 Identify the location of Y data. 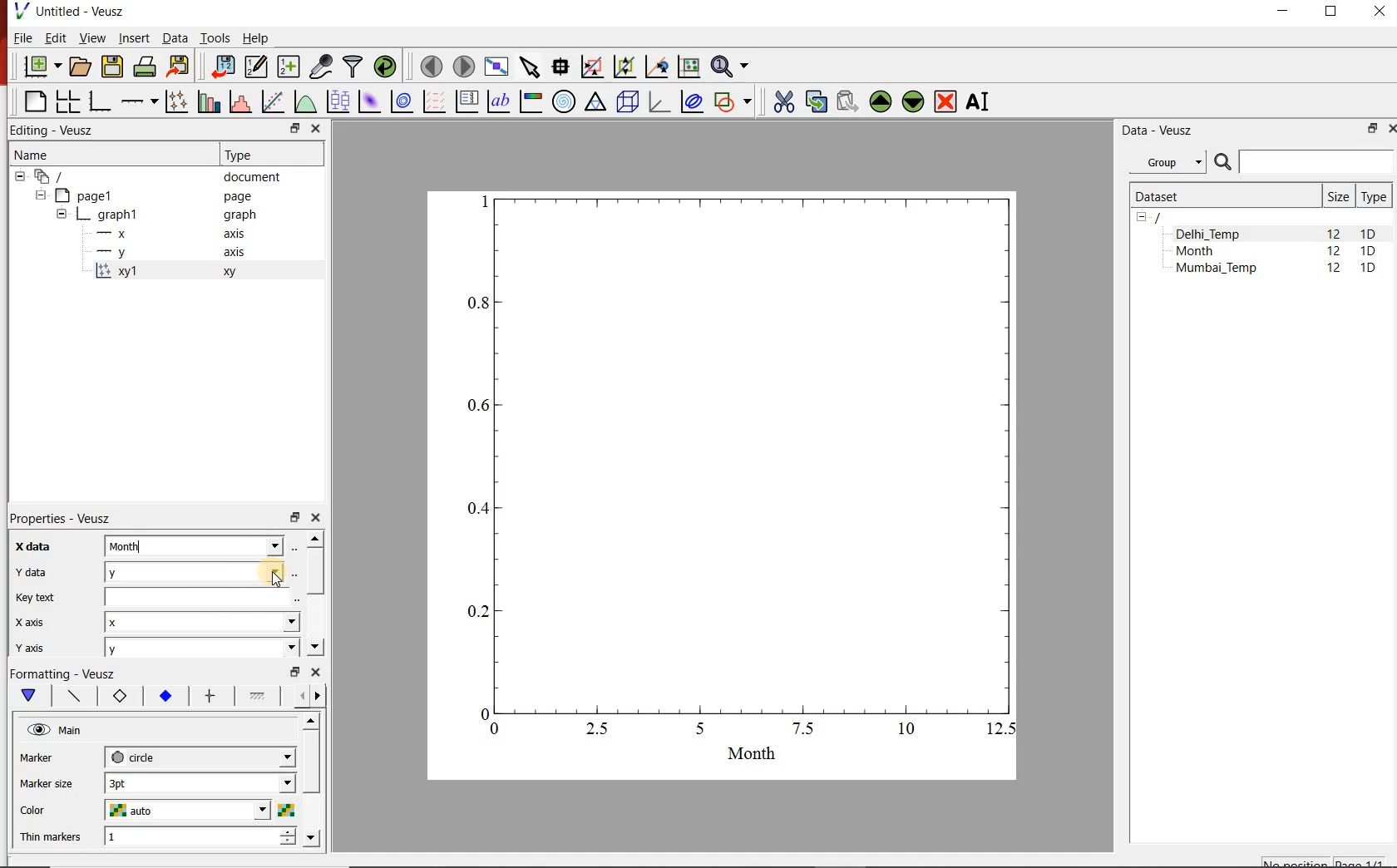
(29, 571).